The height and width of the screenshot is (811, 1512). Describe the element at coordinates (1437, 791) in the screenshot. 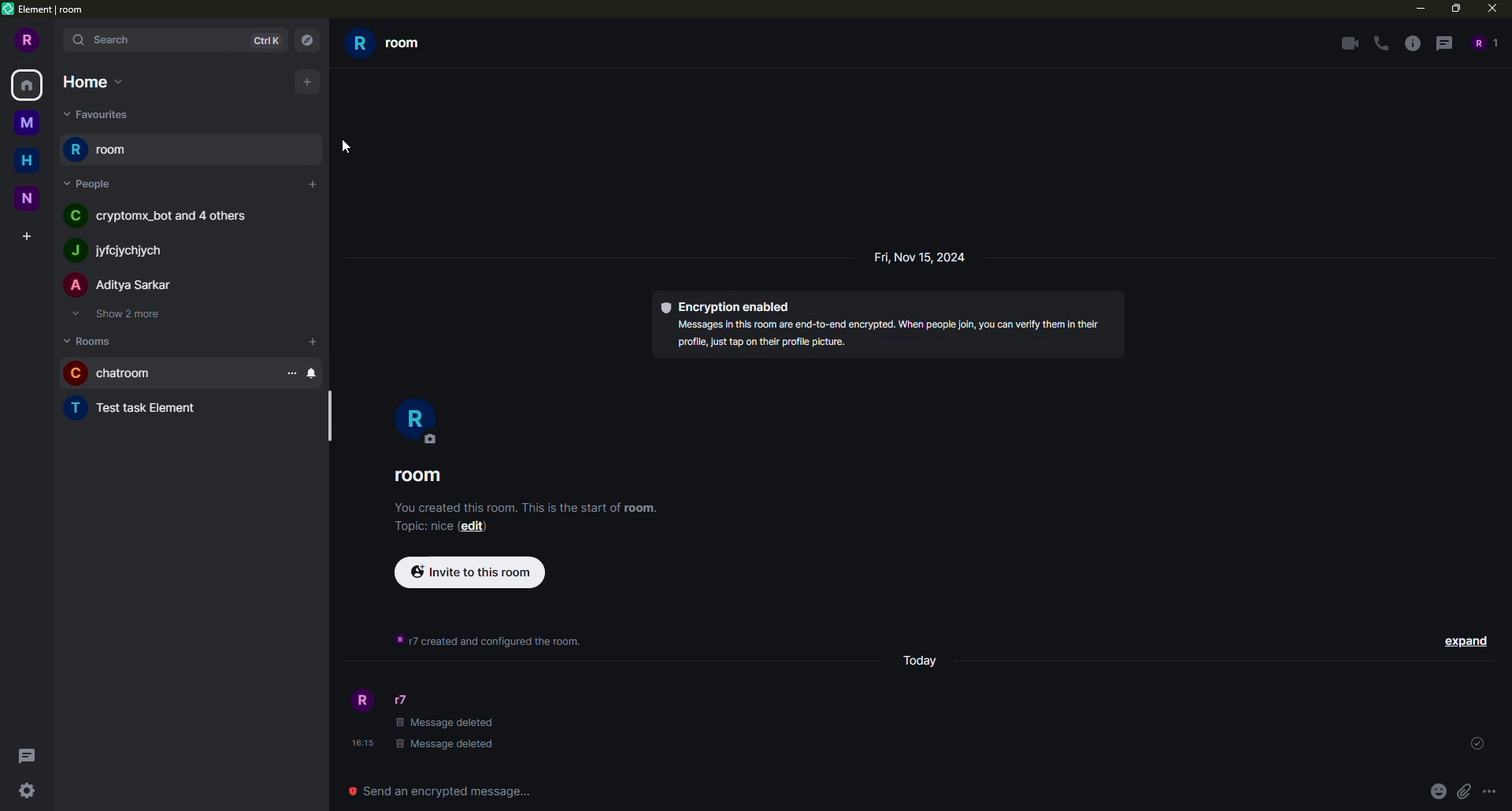

I see `emoji` at that location.